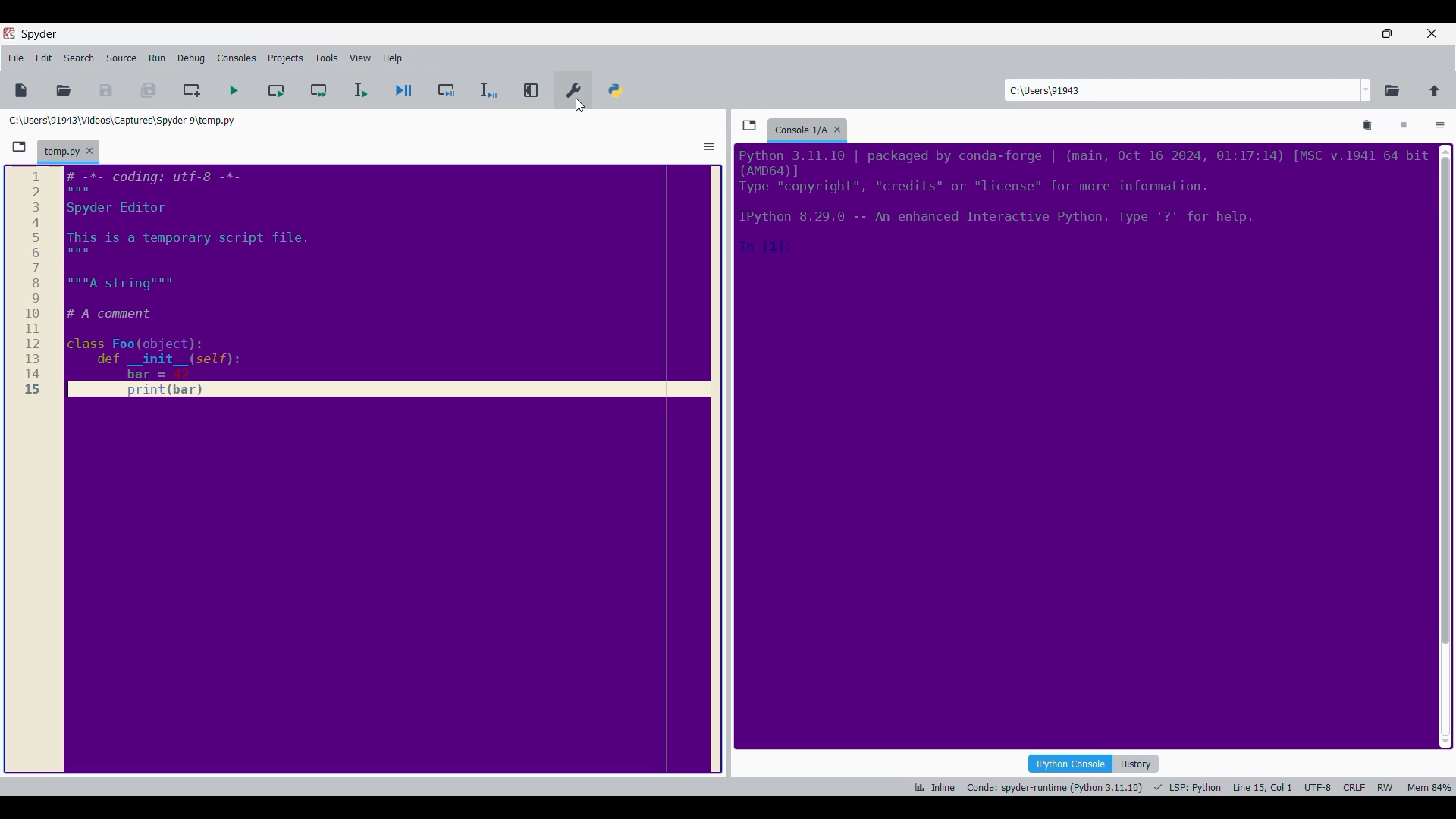 The image size is (1456, 819). I want to click on Folder location, so click(122, 121).